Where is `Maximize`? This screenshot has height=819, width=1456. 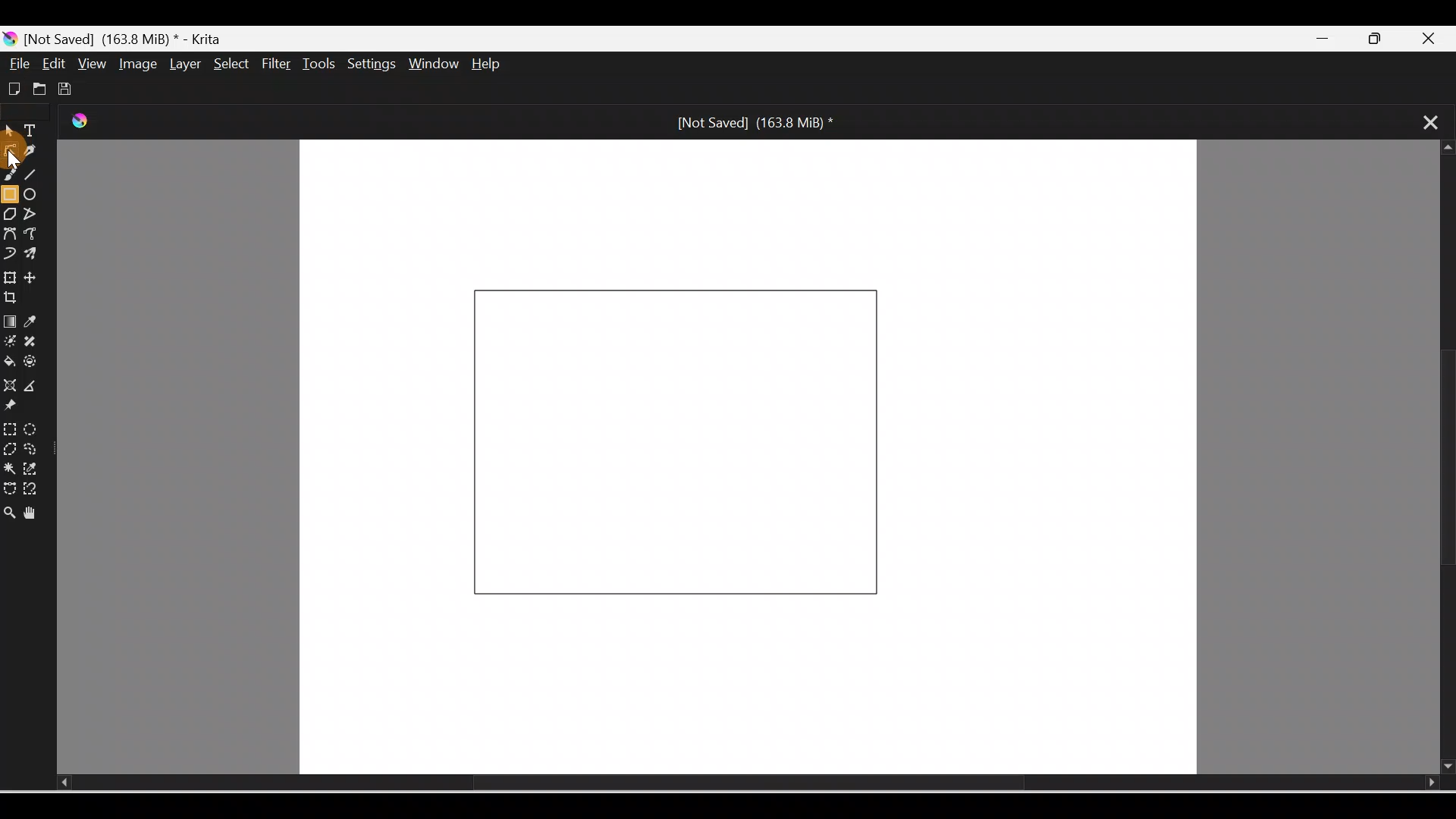
Maximize is located at coordinates (1384, 39).